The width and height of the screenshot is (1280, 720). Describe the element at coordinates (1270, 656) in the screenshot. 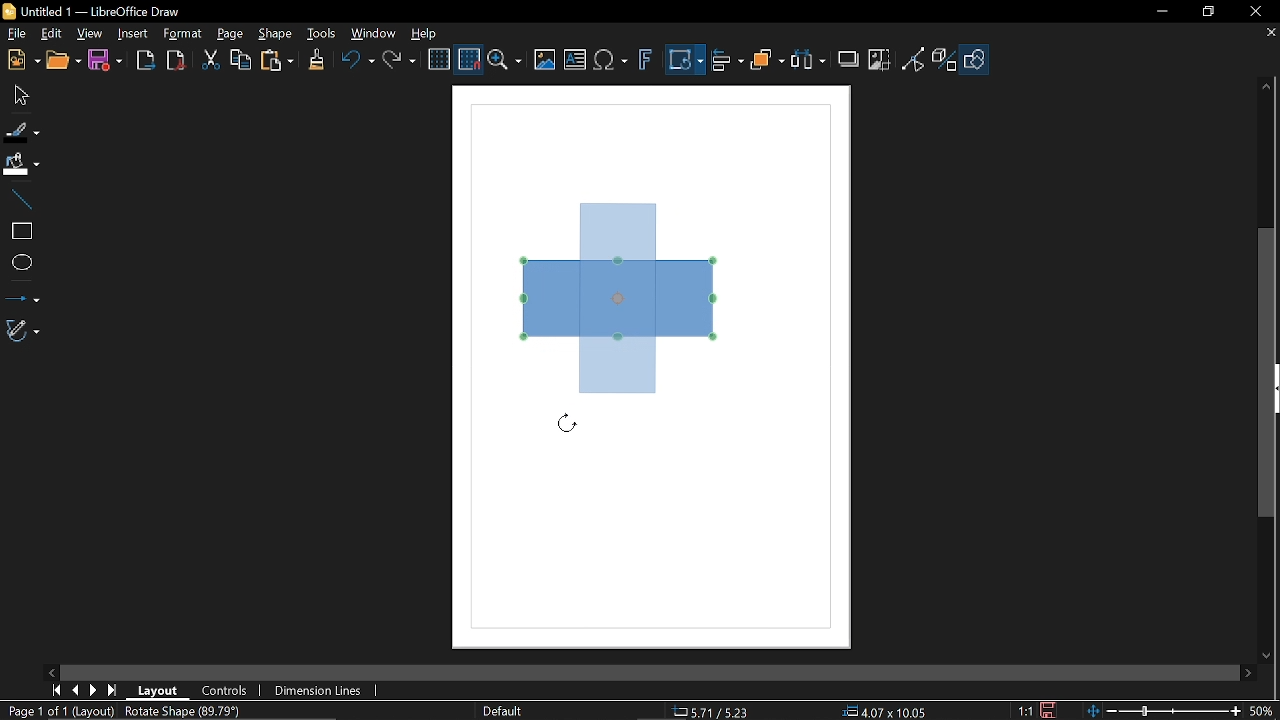

I see `Move down` at that location.